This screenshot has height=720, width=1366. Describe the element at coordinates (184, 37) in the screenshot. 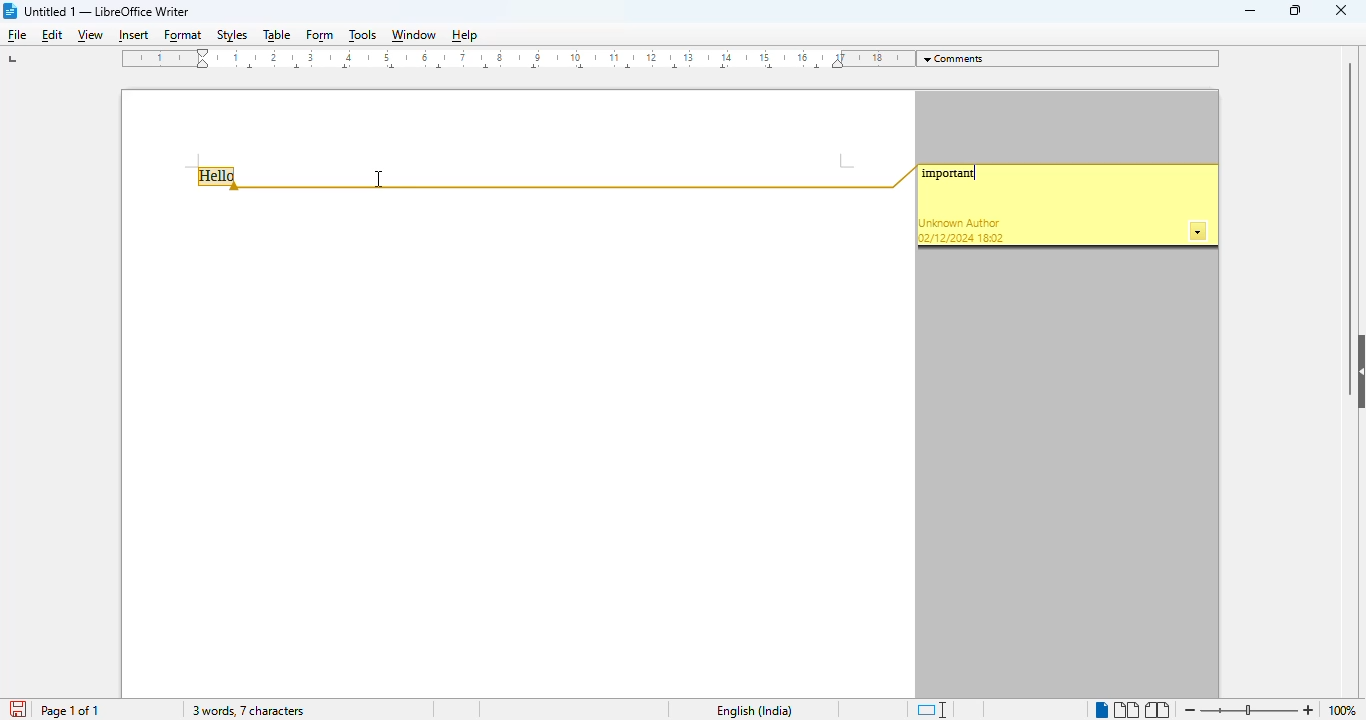

I see `format` at that location.